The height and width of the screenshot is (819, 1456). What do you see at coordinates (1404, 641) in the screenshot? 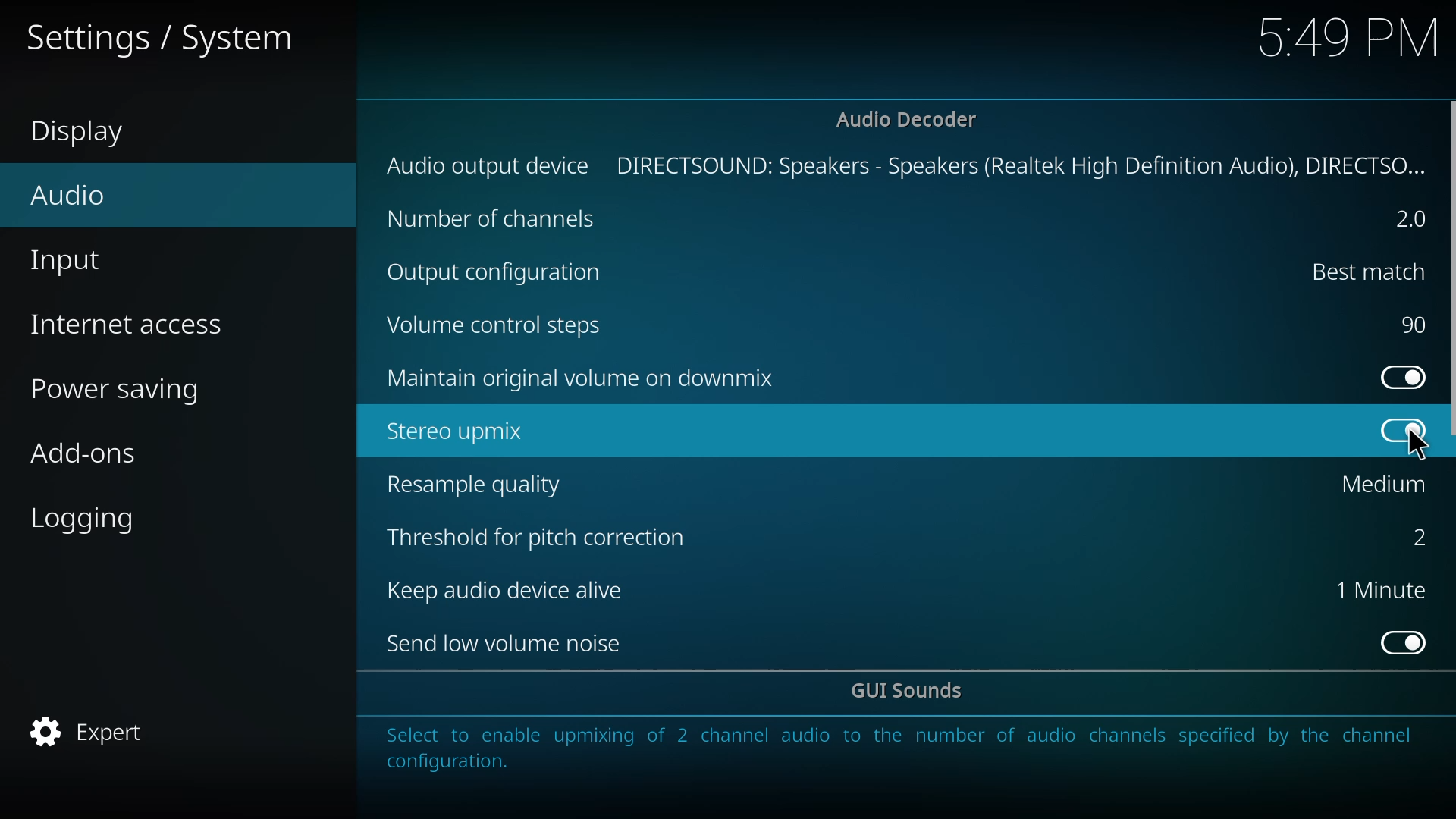
I see `enabled` at bounding box center [1404, 641].